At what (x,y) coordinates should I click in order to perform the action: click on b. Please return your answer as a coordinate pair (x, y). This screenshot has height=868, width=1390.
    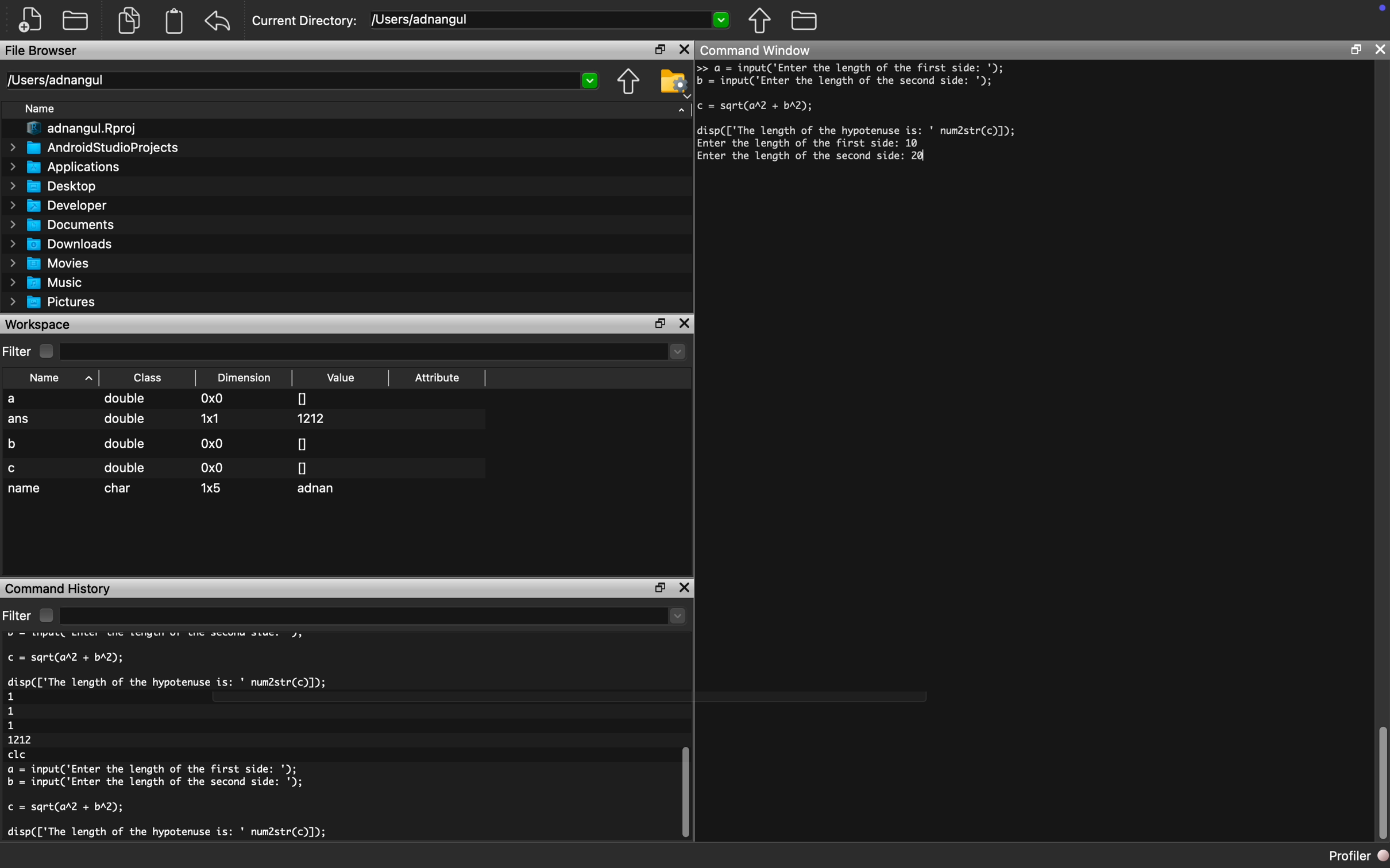
    Looking at the image, I should click on (17, 442).